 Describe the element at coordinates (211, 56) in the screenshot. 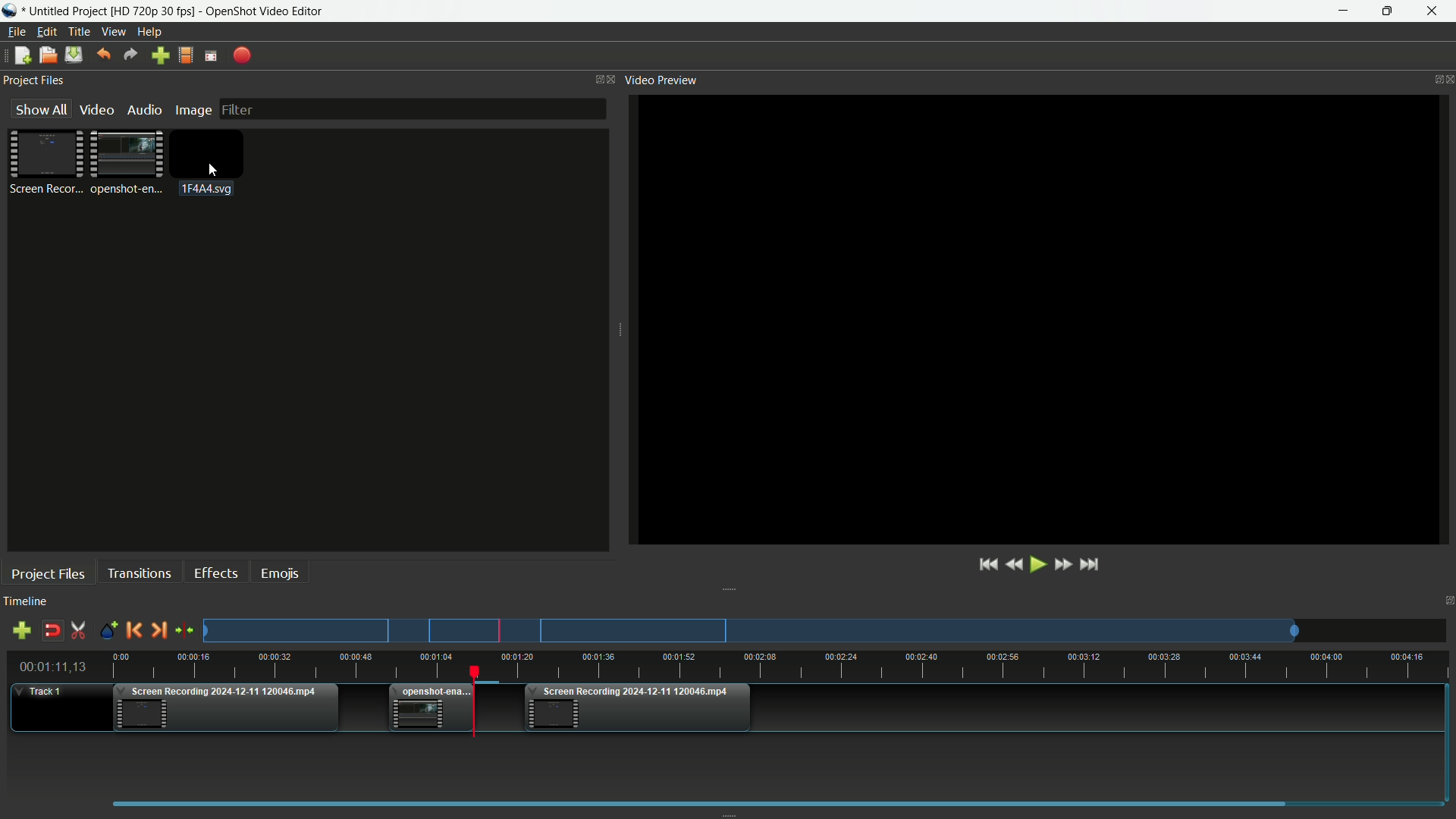

I see `Full screen` at that location.